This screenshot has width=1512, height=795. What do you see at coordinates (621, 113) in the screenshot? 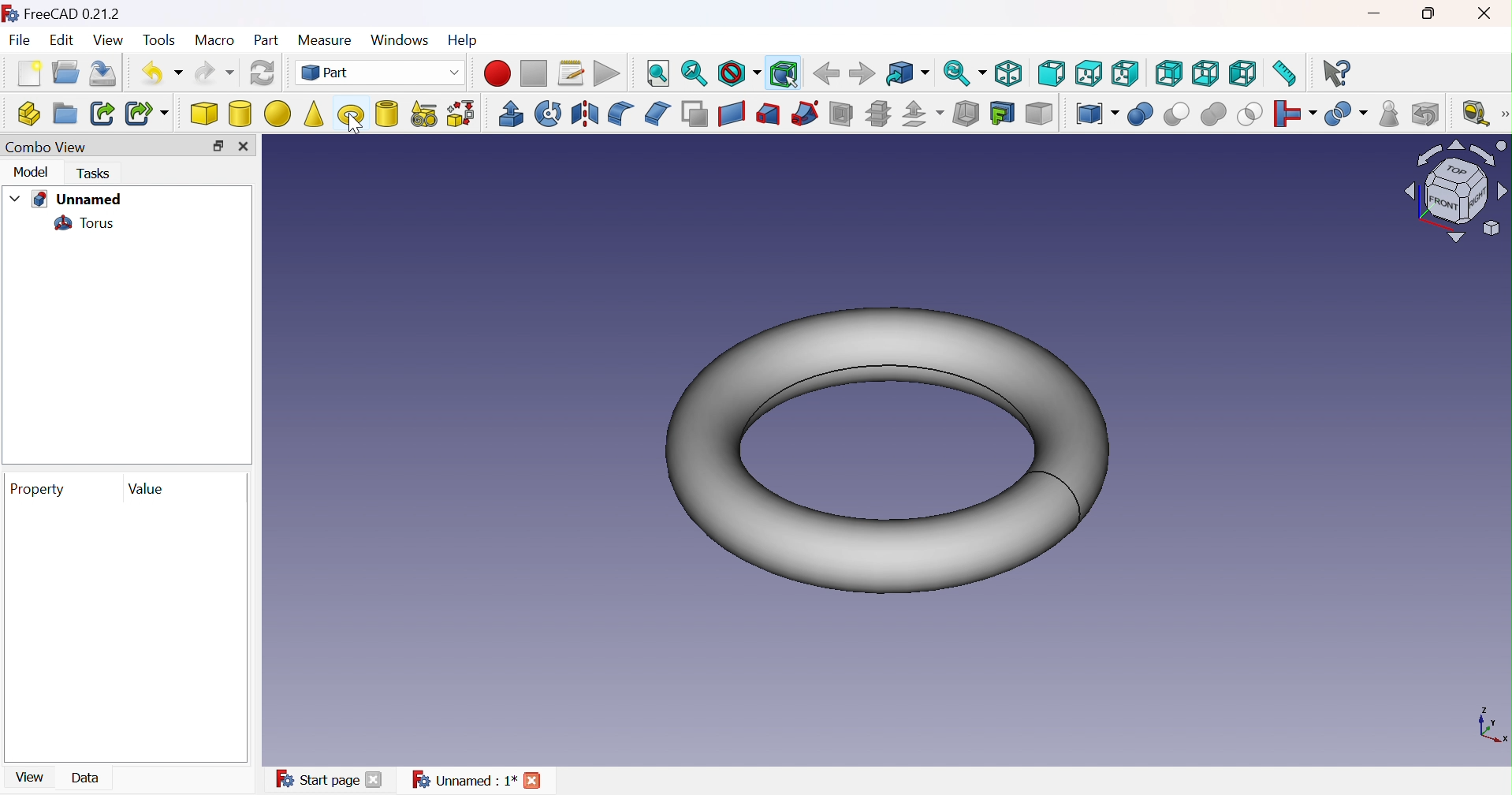
I see `Fillet` at bounding box center [621, 113].